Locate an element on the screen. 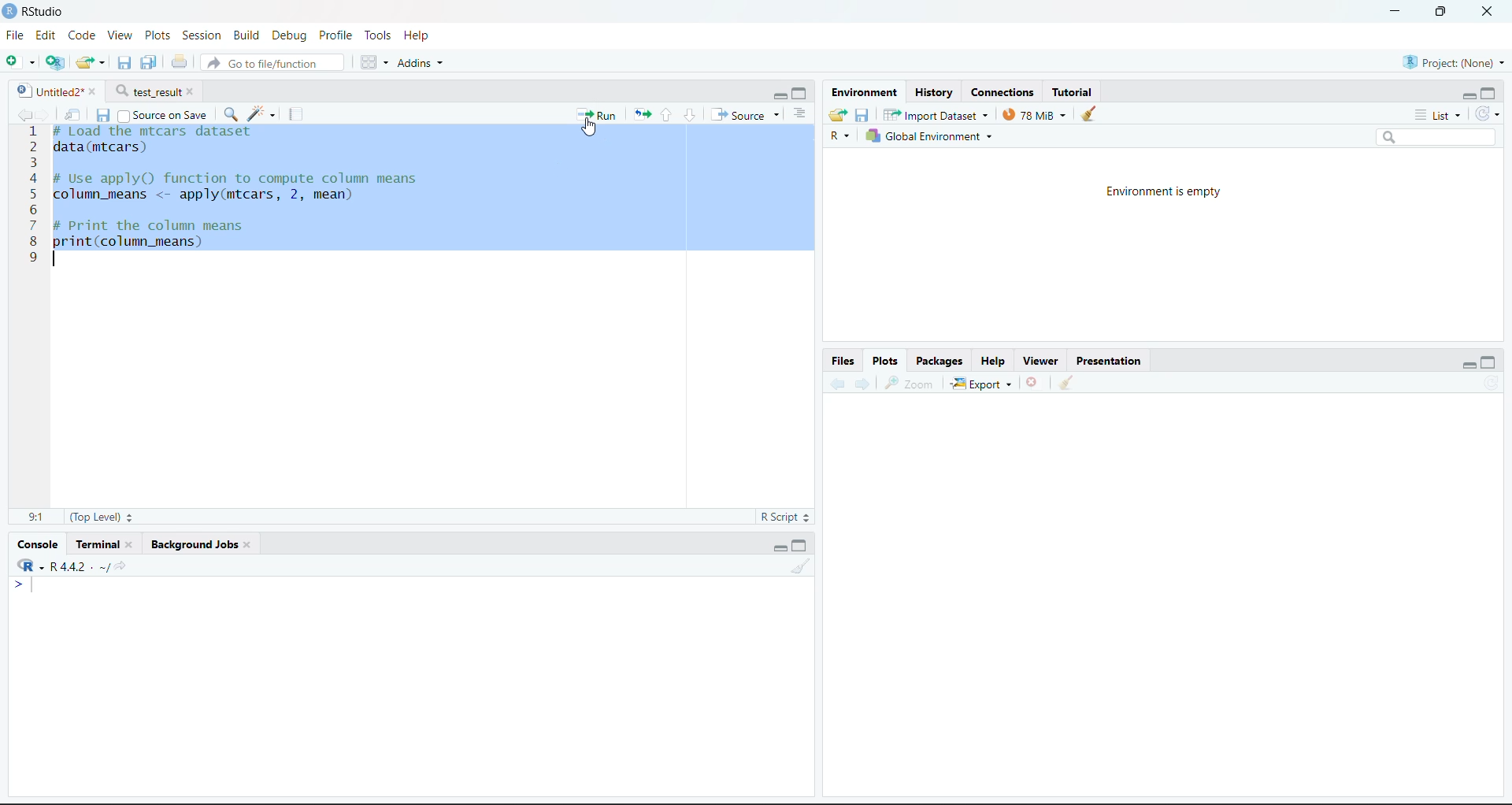 This screenshot has height=805, width=1512. Export is located at coordinates (984, 381).